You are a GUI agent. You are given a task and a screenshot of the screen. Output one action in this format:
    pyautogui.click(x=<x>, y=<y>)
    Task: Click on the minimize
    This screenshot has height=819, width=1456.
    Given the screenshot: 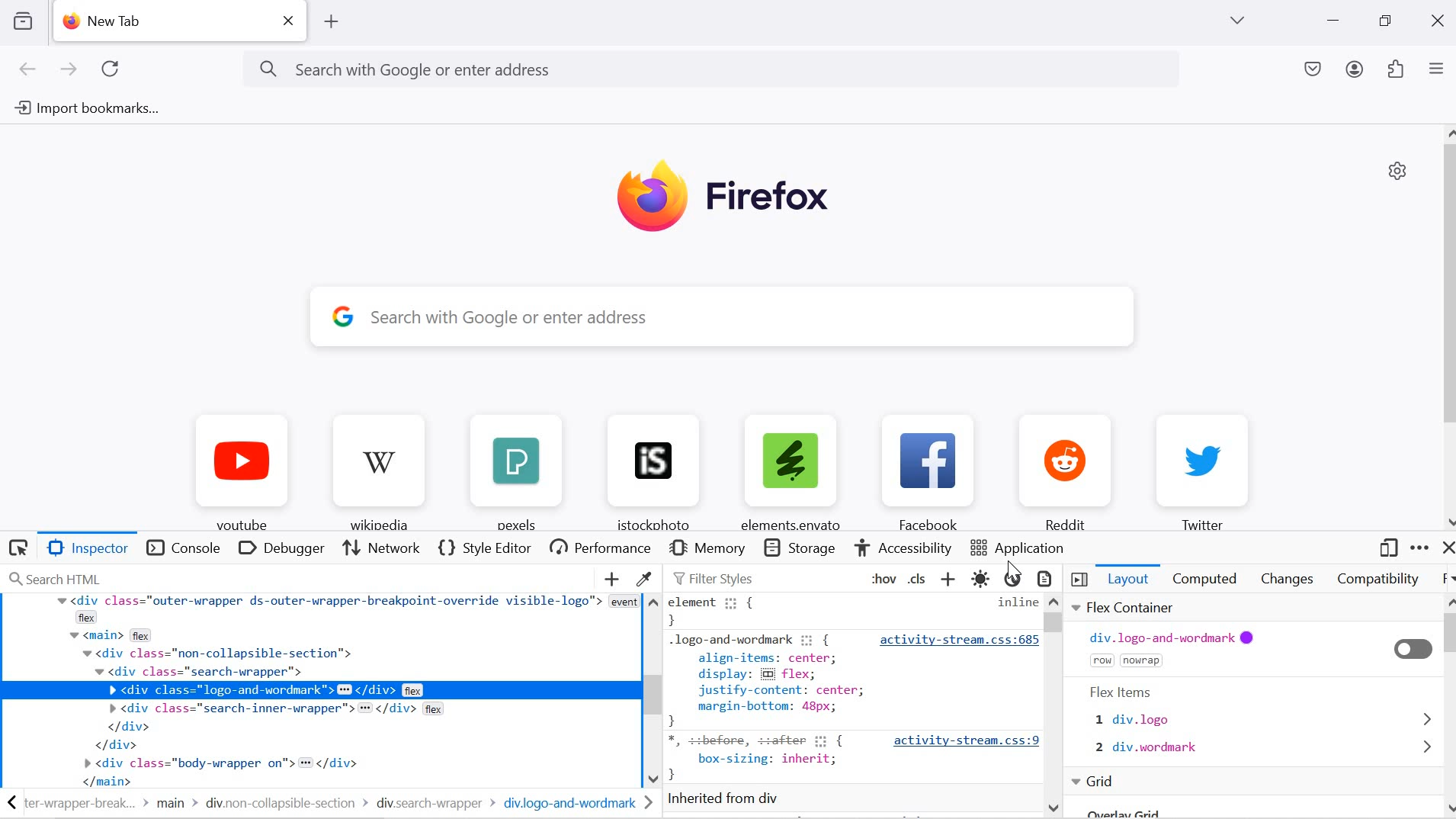 What is the action you would take?
    pyautogui.click(x=1333, y=19)
    